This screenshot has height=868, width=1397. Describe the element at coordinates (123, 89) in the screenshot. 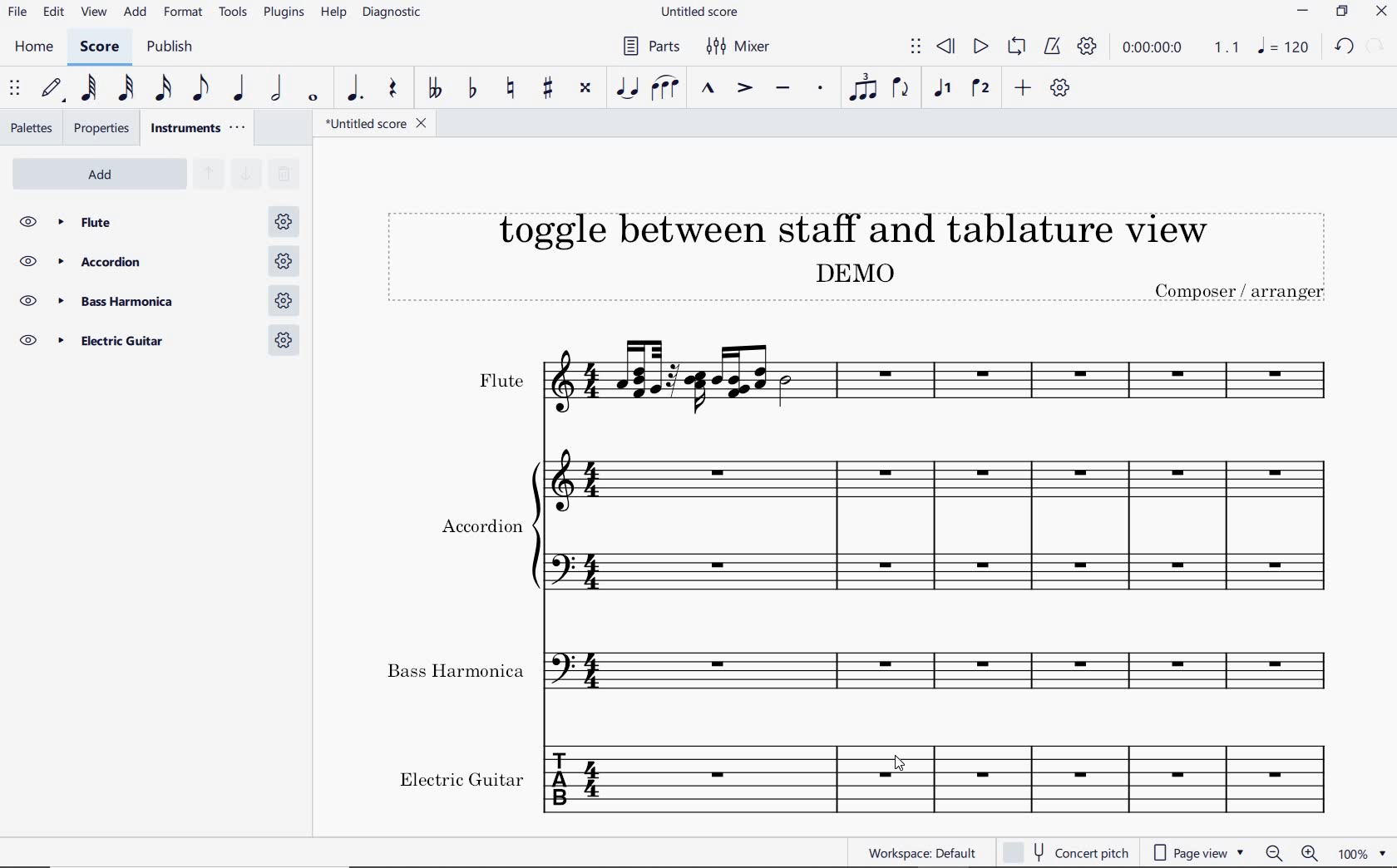

I see `32nd note` at that location.